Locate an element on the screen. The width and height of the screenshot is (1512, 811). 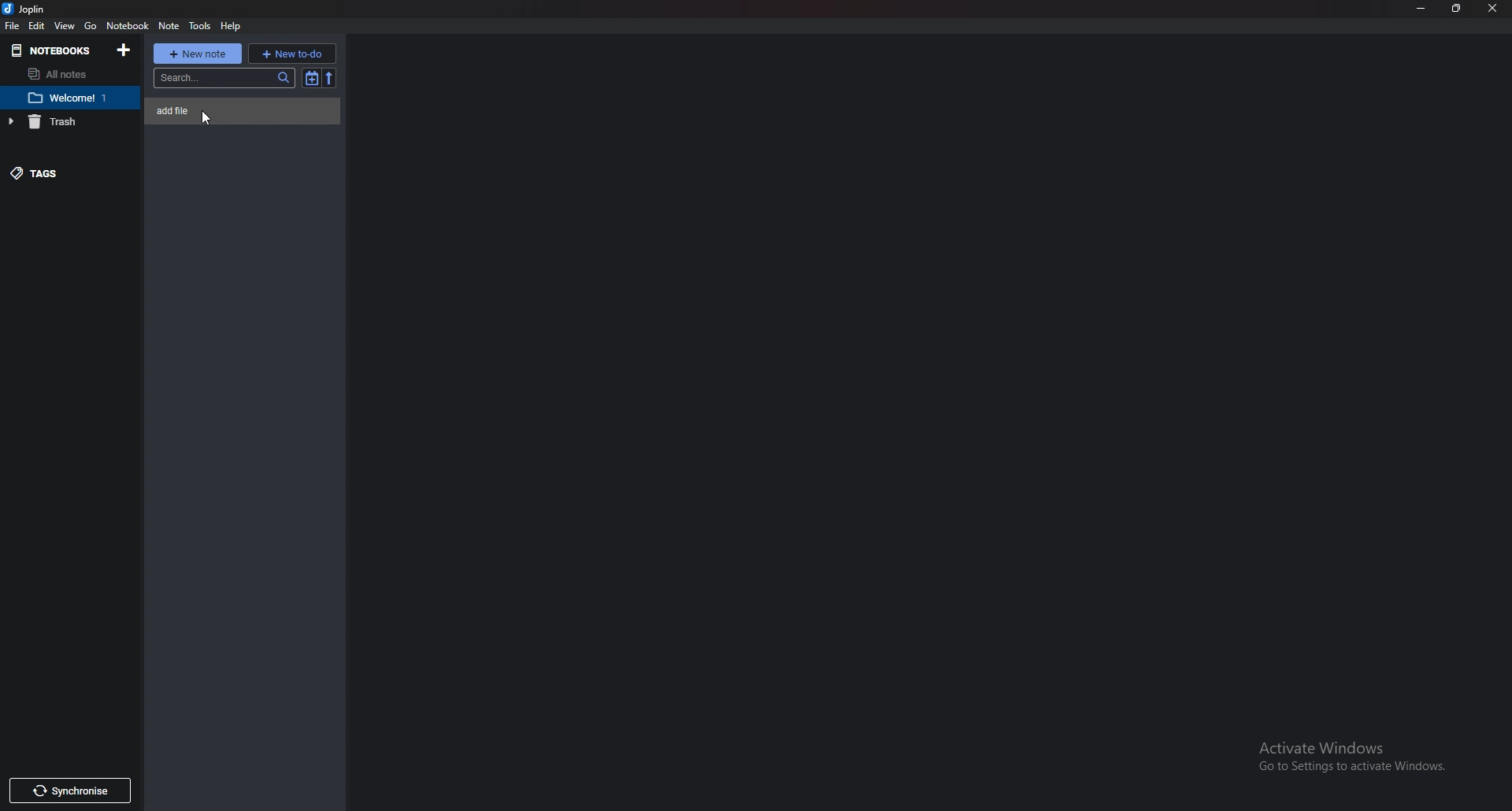
Resize is located at coordinates (1455, 9).